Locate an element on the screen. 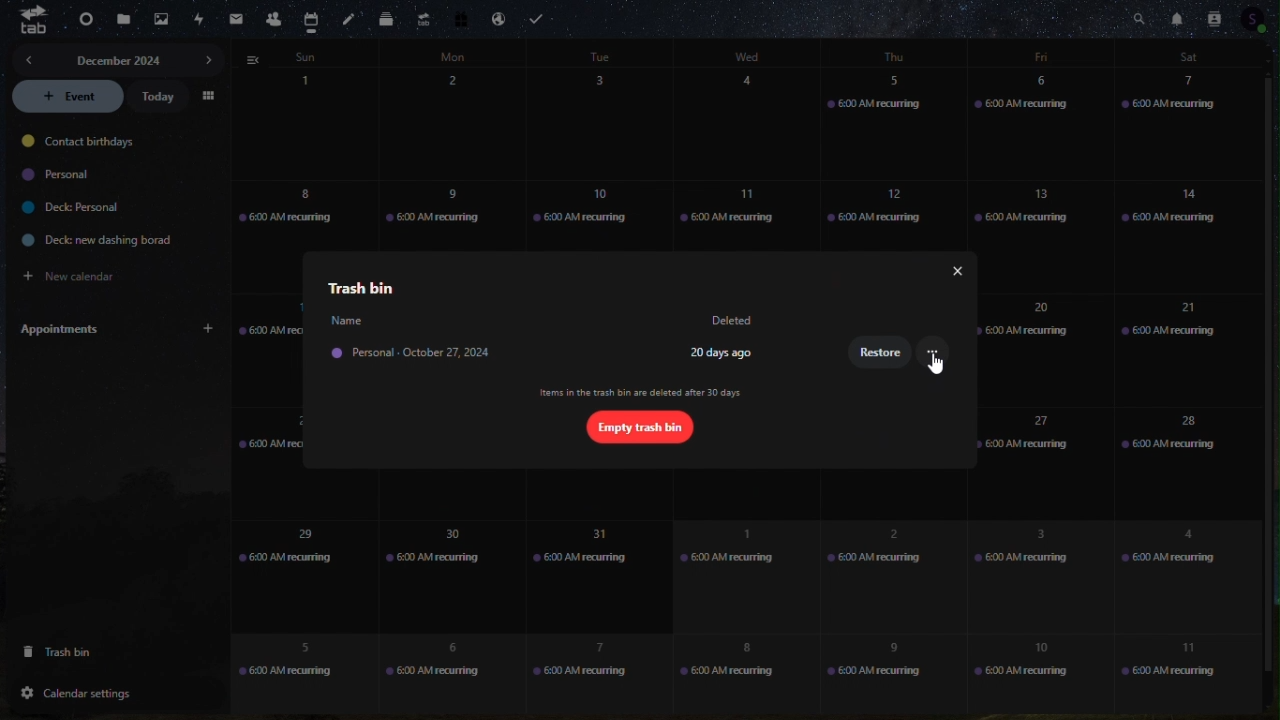 This screenshot has width=1280, height=720. 20 days ago is located at coordinates (723, 352).